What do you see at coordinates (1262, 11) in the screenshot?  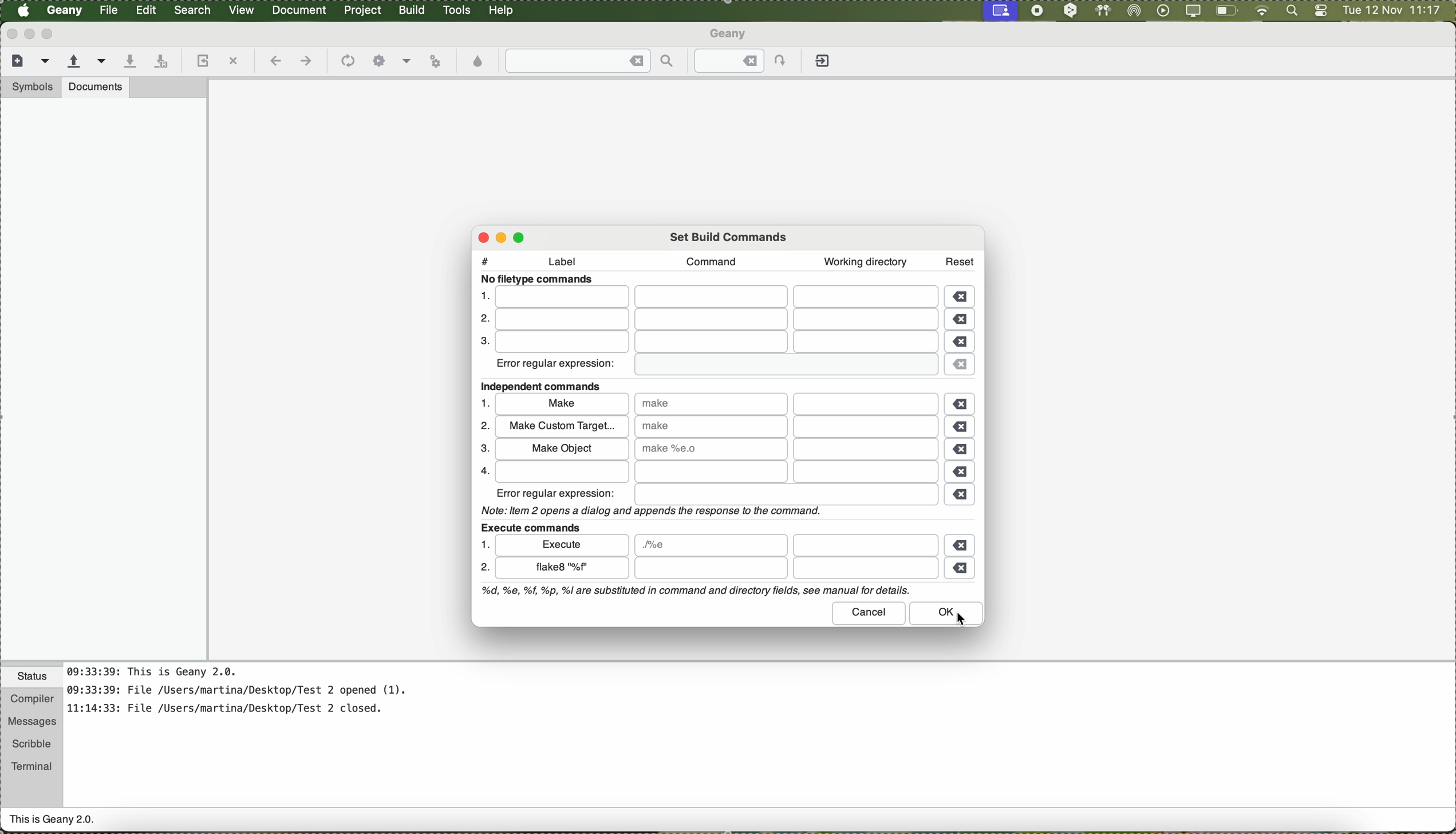 I see `wifi` at bounding box center [1262, 11].